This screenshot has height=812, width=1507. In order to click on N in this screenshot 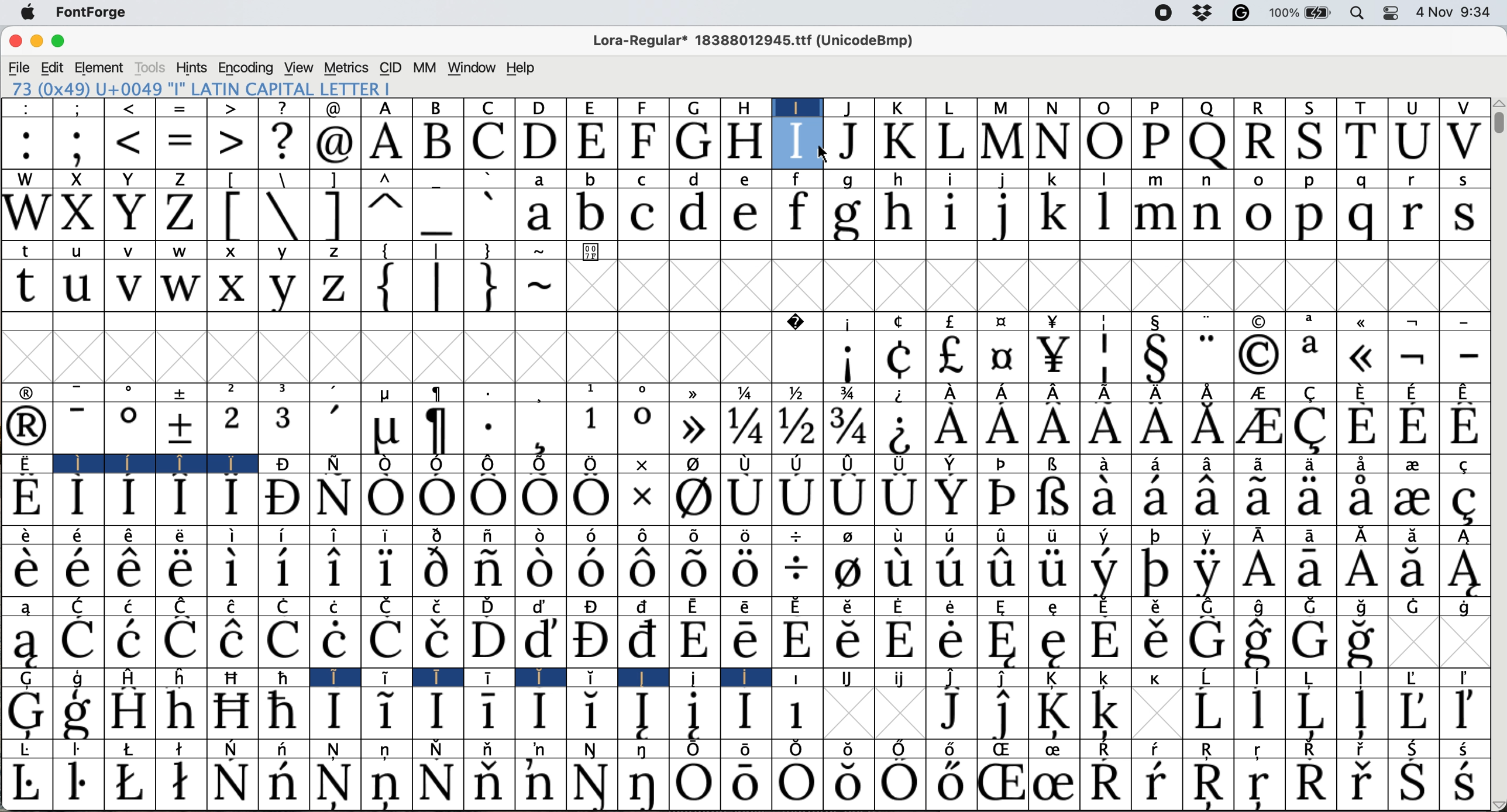, I will do `click(1054, 108)`.